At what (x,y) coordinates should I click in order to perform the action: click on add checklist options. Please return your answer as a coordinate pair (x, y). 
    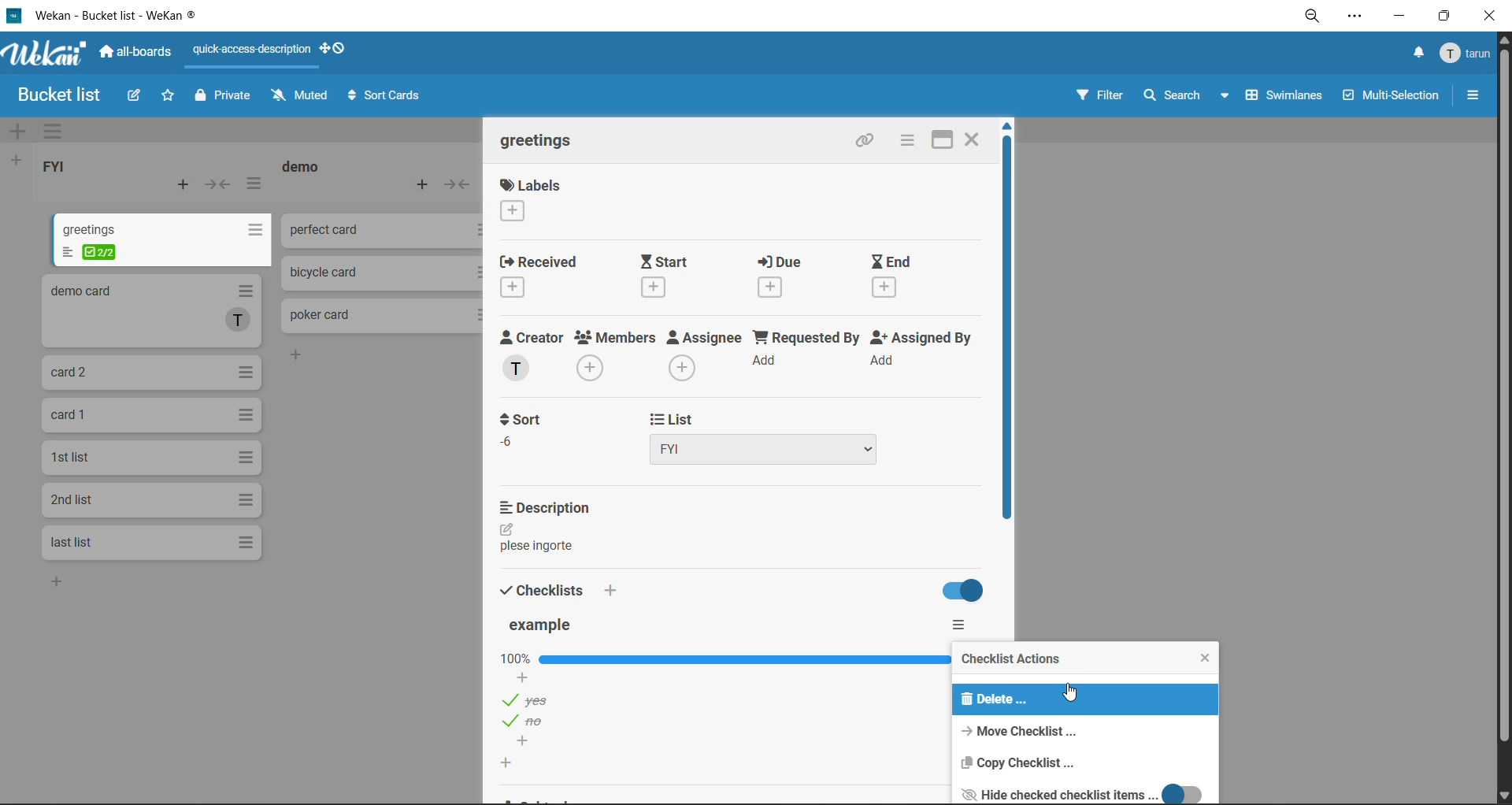
    Looking at the image, I should click on (522, 677).